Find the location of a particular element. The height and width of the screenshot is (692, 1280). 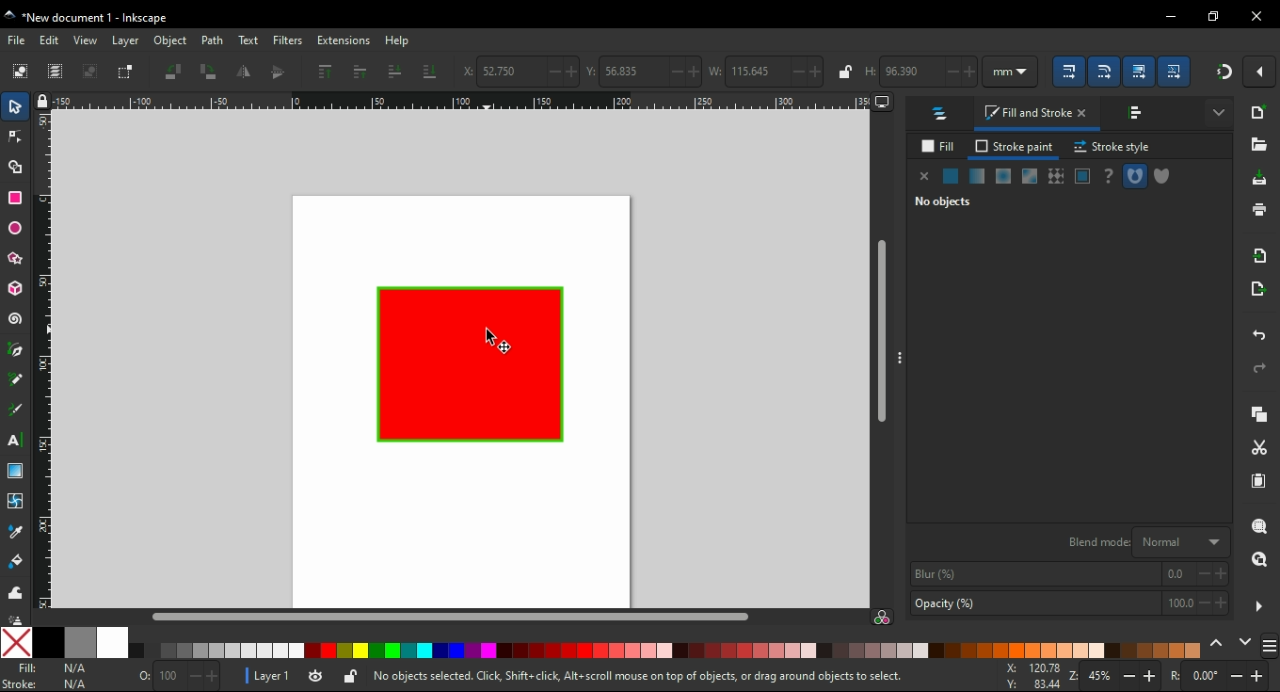

open export is located at coordinates (1257, 289).